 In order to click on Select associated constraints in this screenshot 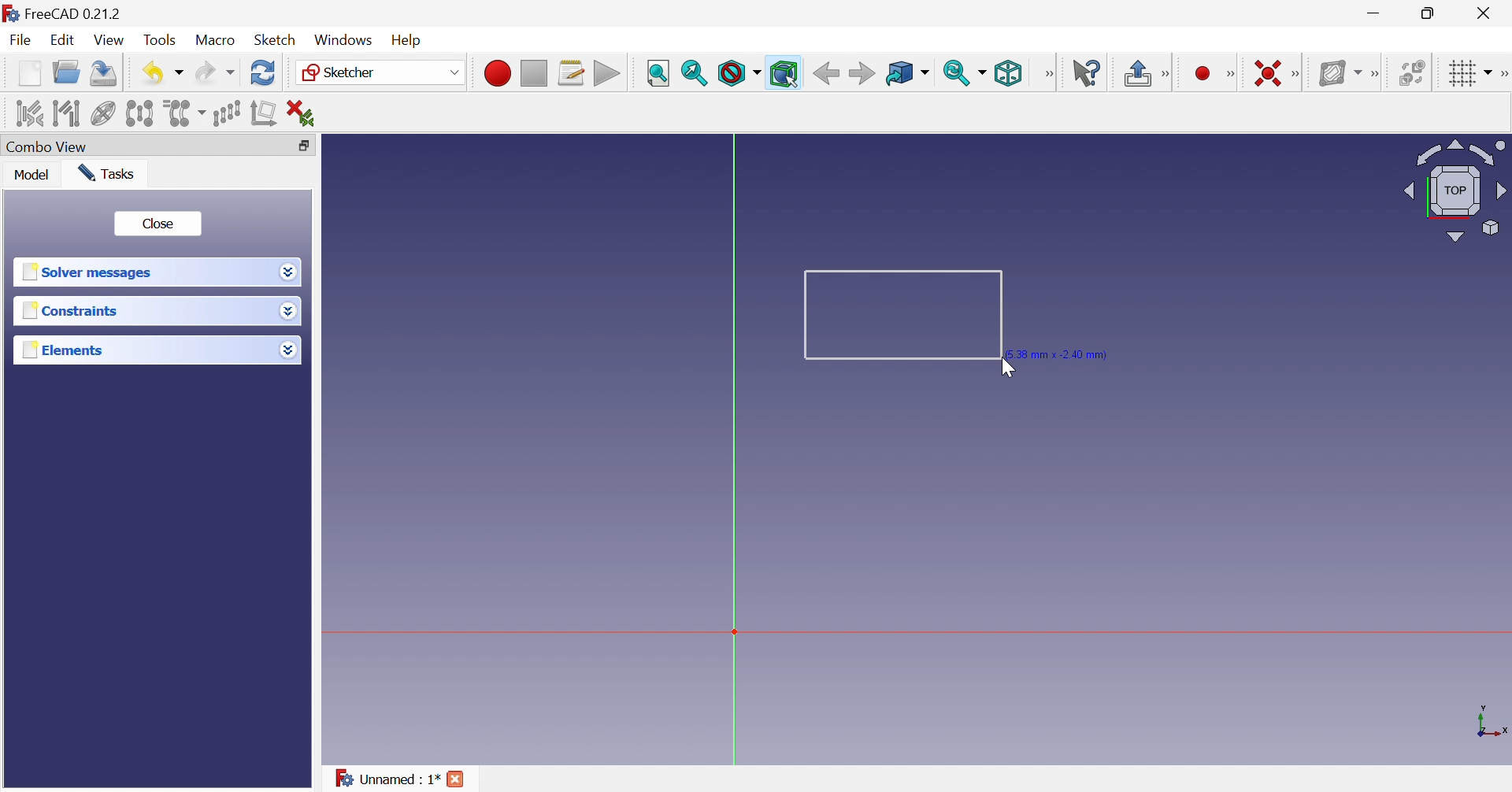, I will do `click(30, 113)`.